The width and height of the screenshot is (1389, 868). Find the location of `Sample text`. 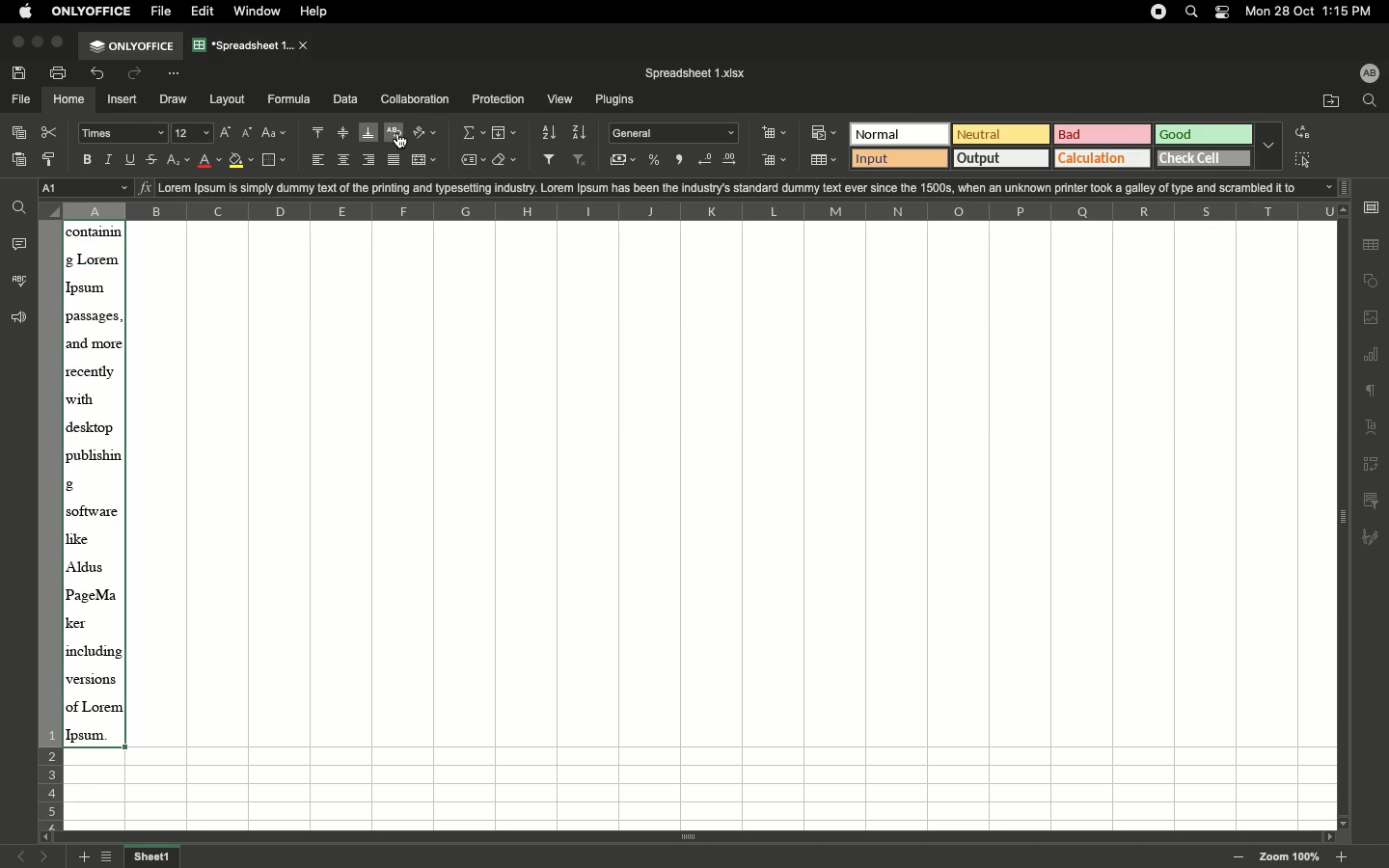

Sample text is located at coordinates (752, 187).